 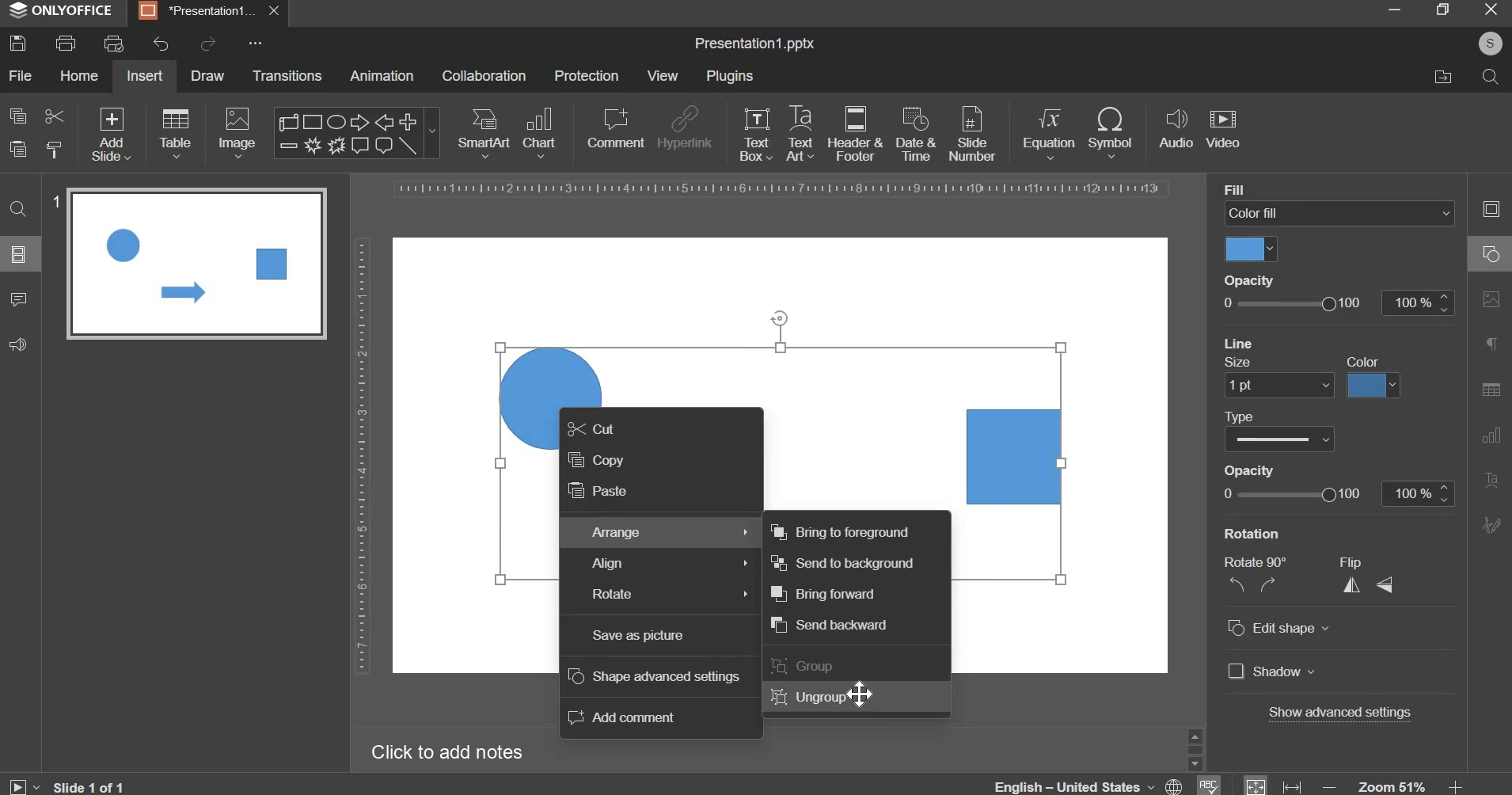 I want to click on line color, so click(x=1375, y=383).